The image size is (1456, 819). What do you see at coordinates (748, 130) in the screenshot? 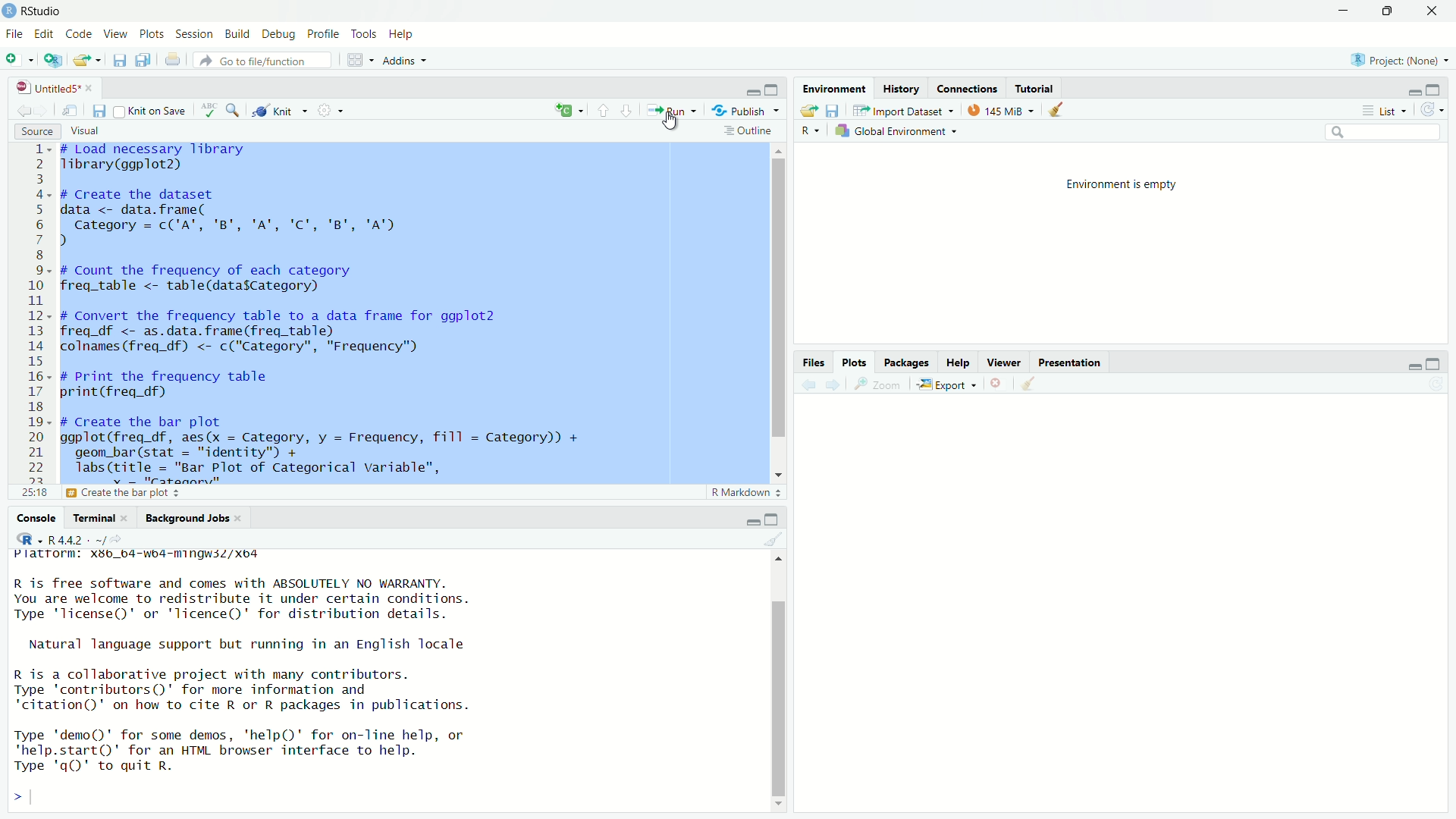
I see `outline` at bounding box center [748, 130].